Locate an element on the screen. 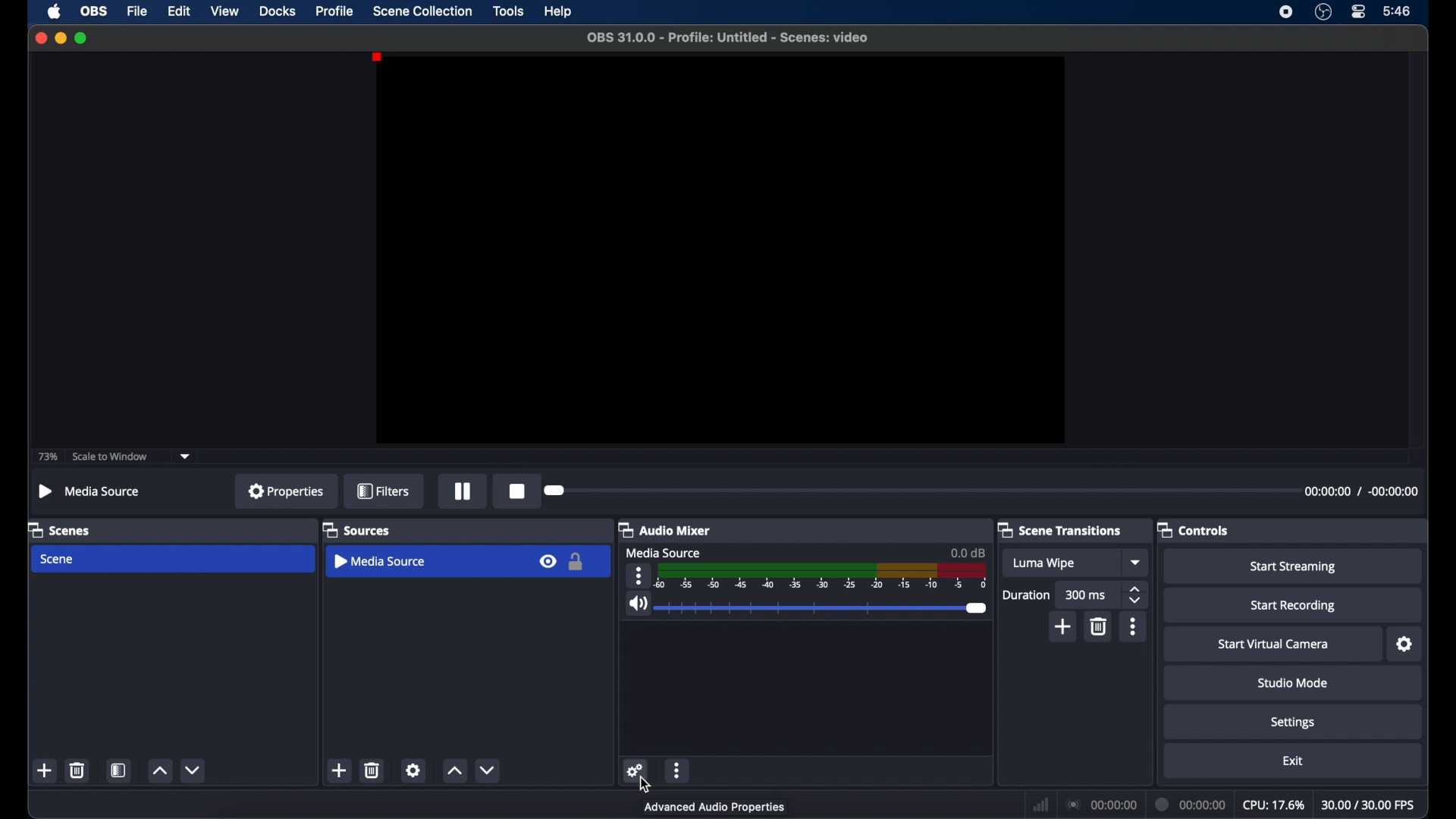 This screenshot has width=1456, height=819. pause is located at coordinates (463, 491).